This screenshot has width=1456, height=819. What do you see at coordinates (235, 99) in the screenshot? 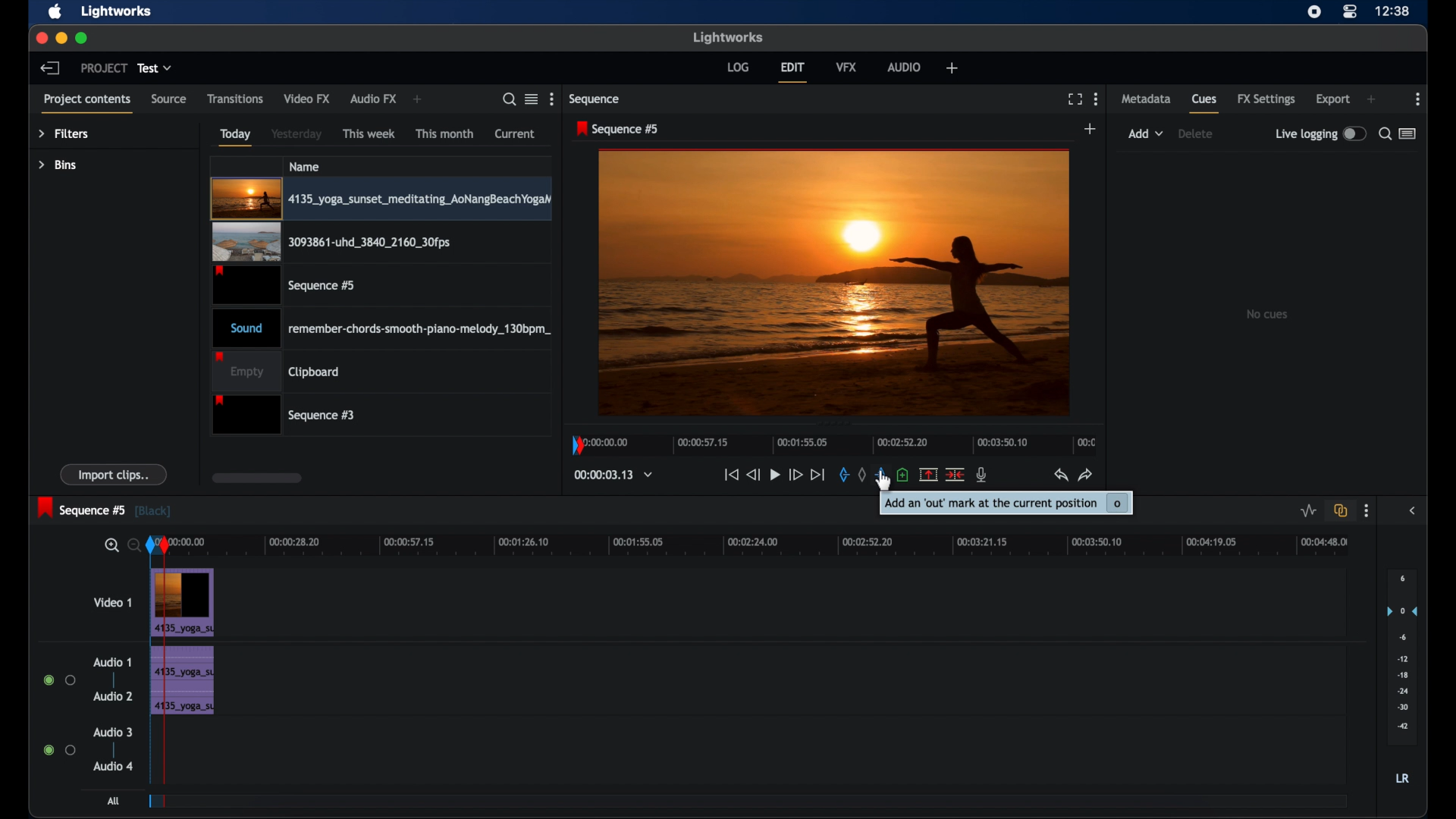
I see `transitions` at bounding box center [235, 99].